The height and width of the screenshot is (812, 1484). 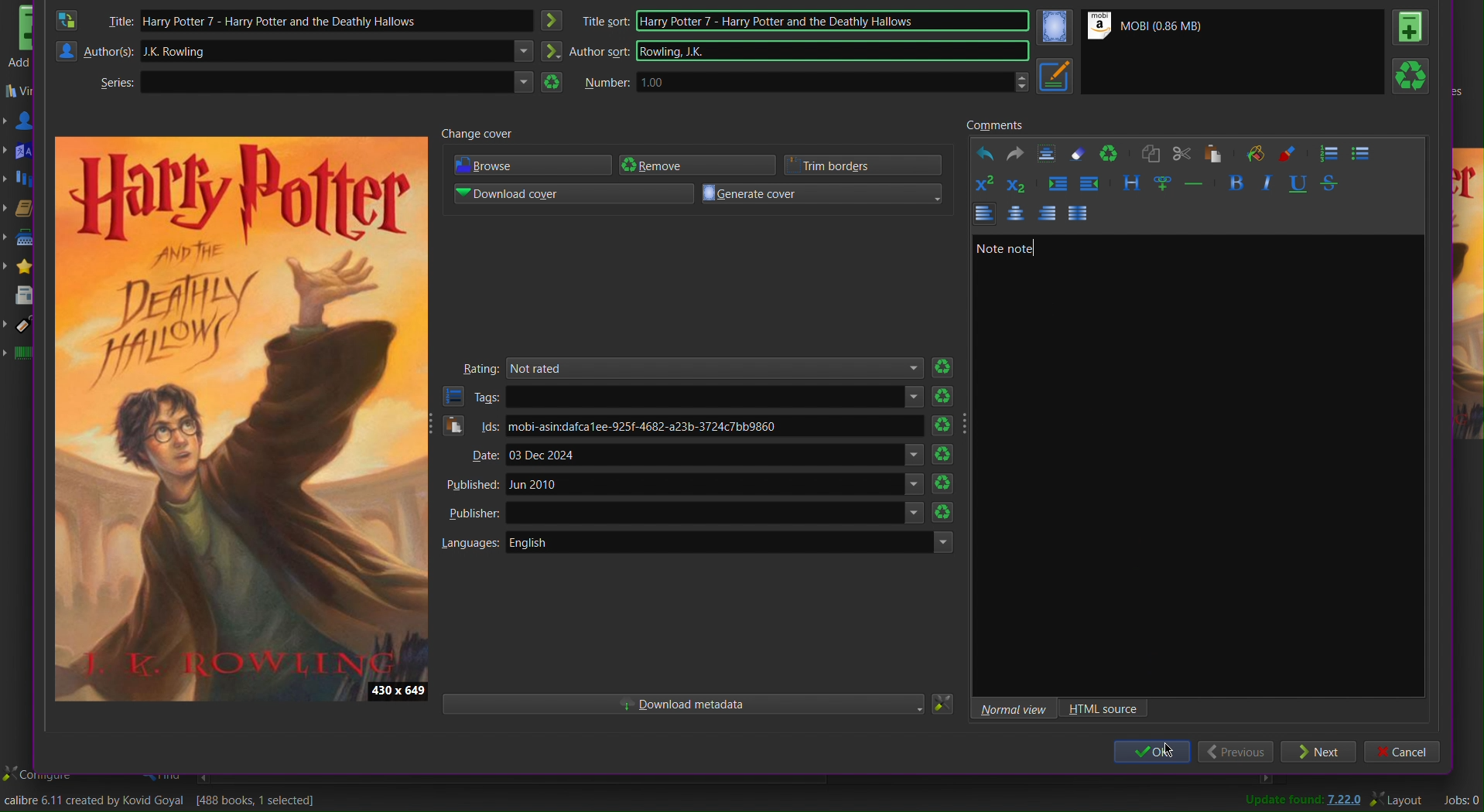 What do you see at coordinates (986, 183) in the screenshot?
I see `Superscript` at bounding box center [986, 183].